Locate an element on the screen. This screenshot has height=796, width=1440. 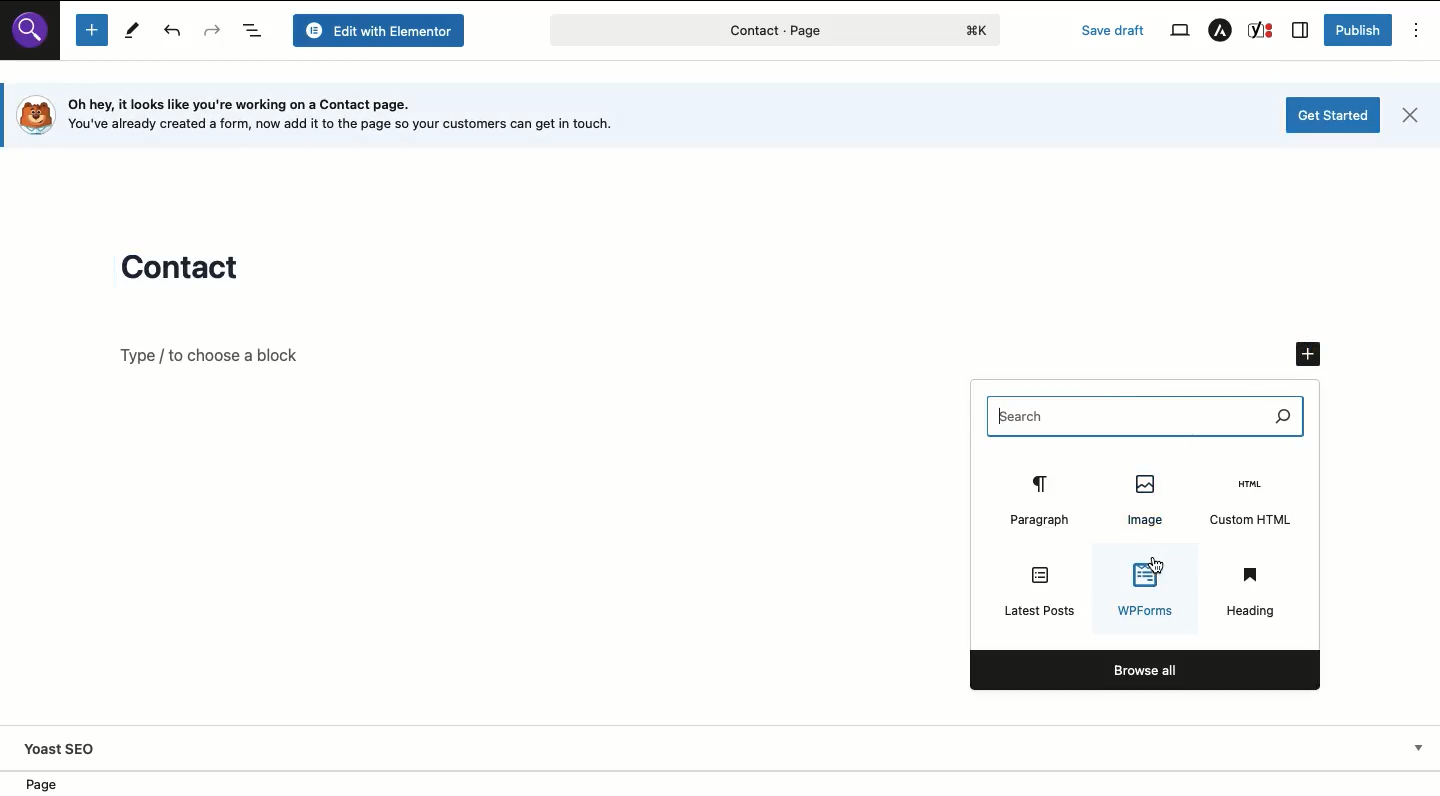
Publish is located at coordinates (1357, 30).